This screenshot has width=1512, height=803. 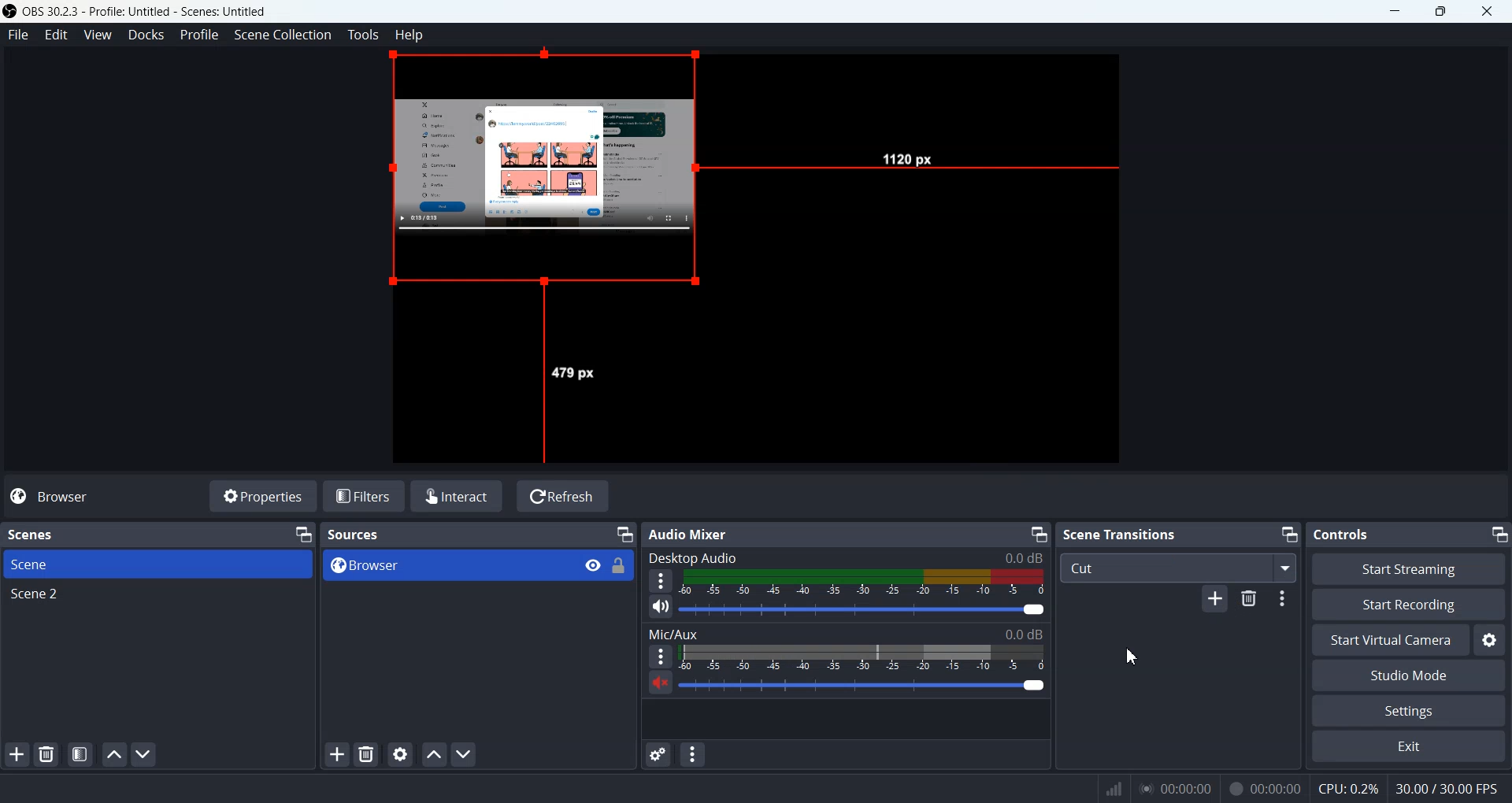 I want to click on Minimize, so click(x=303, y=534).